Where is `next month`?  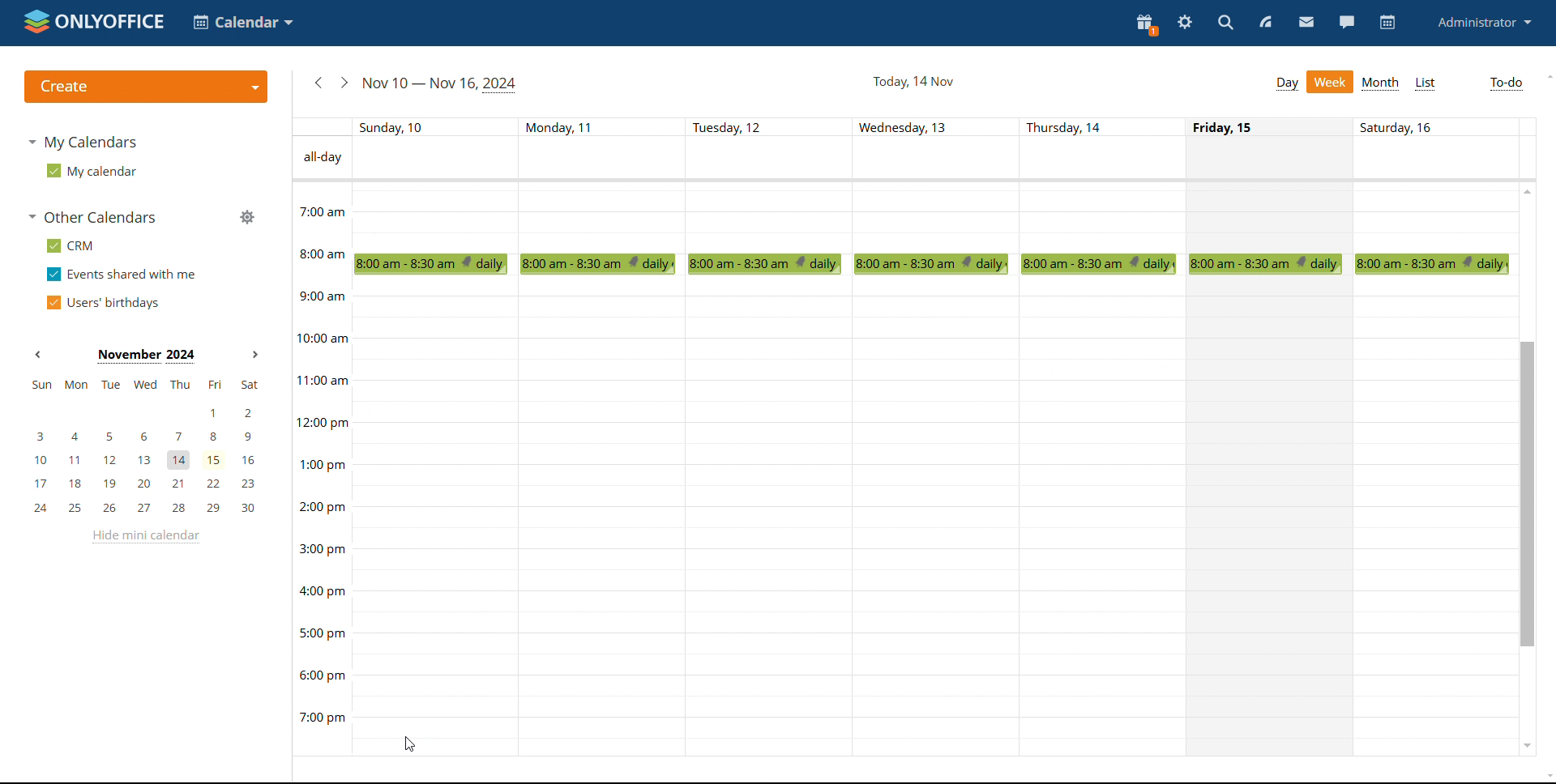
next month is located at coordinates (254, 355).